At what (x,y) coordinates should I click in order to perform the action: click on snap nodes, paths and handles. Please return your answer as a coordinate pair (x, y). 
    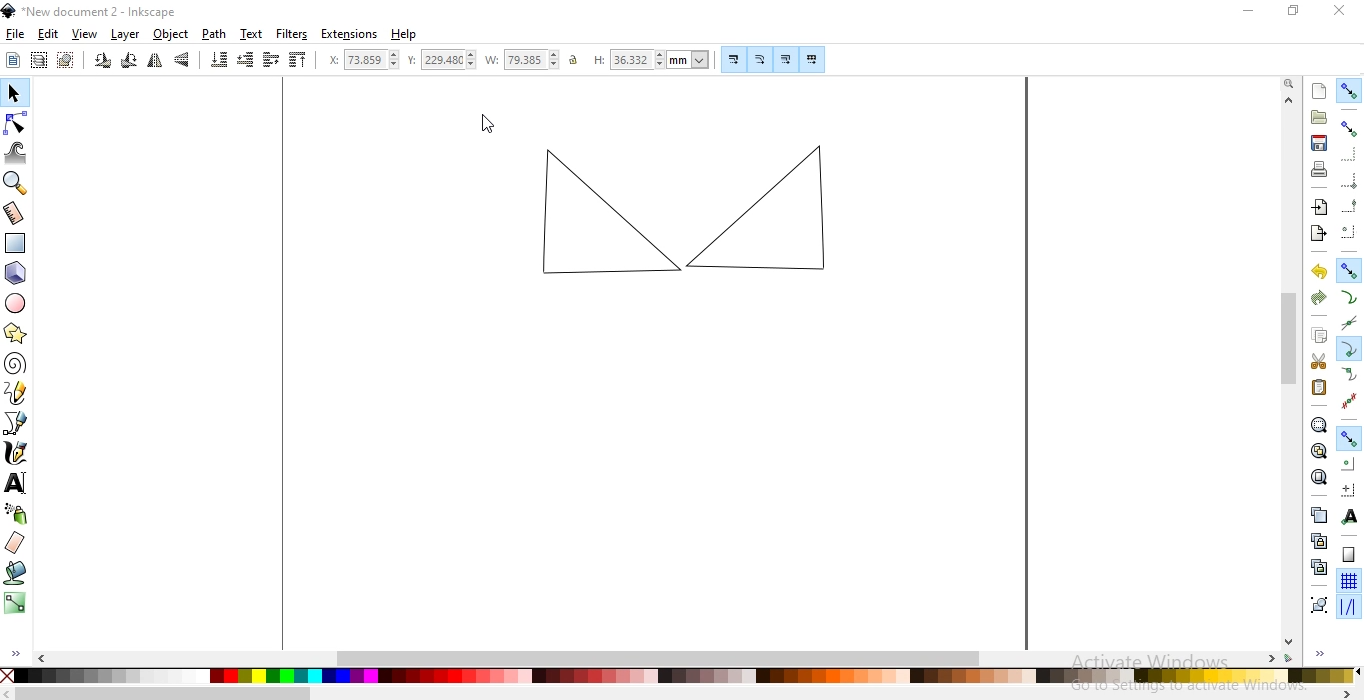
    Looking at the image, I should click on (1349, 271).